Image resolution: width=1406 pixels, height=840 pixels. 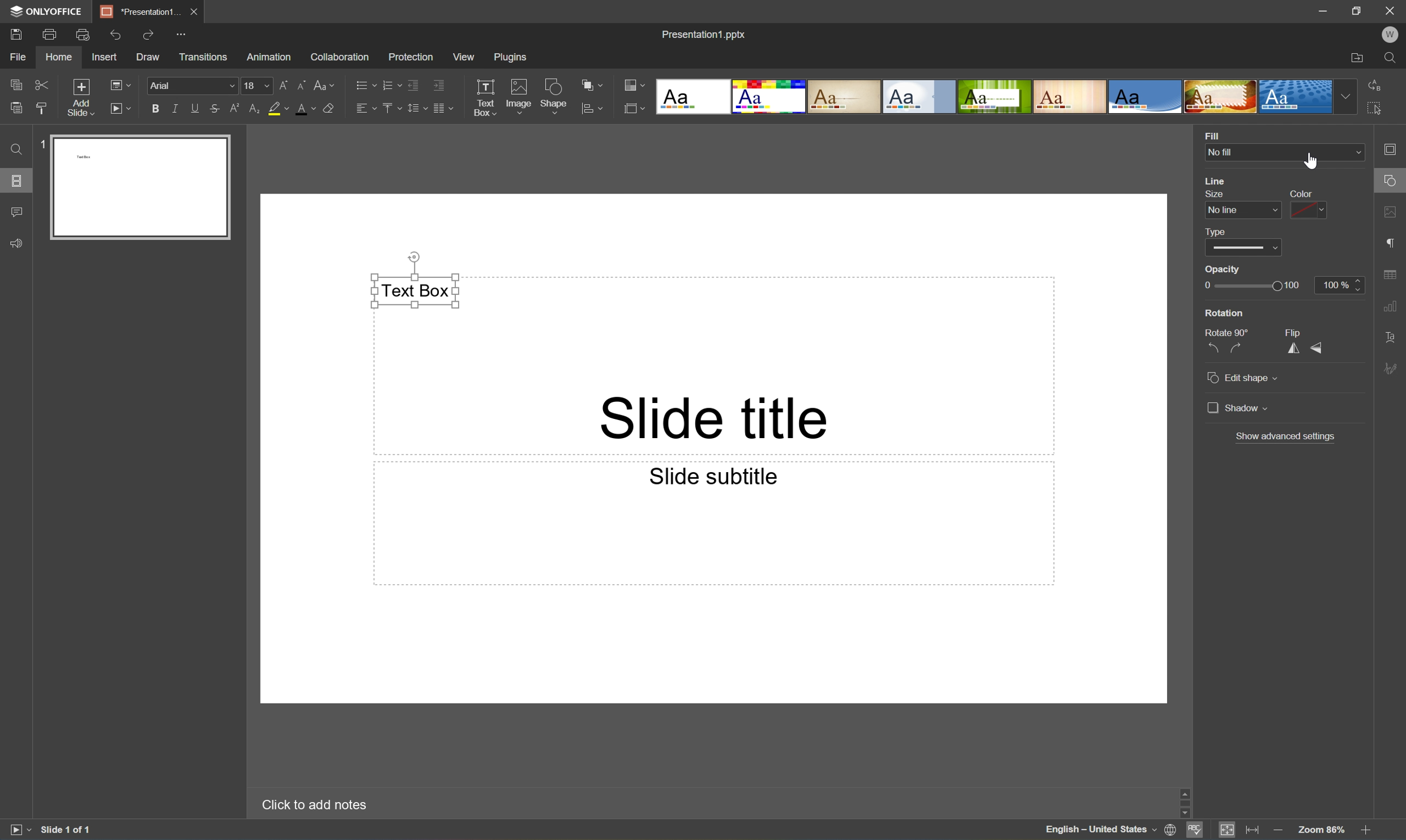 What do you see at coordinates (282, 86) in the screenshot?
I see `Increment font size` at bounding box center [282, 86].